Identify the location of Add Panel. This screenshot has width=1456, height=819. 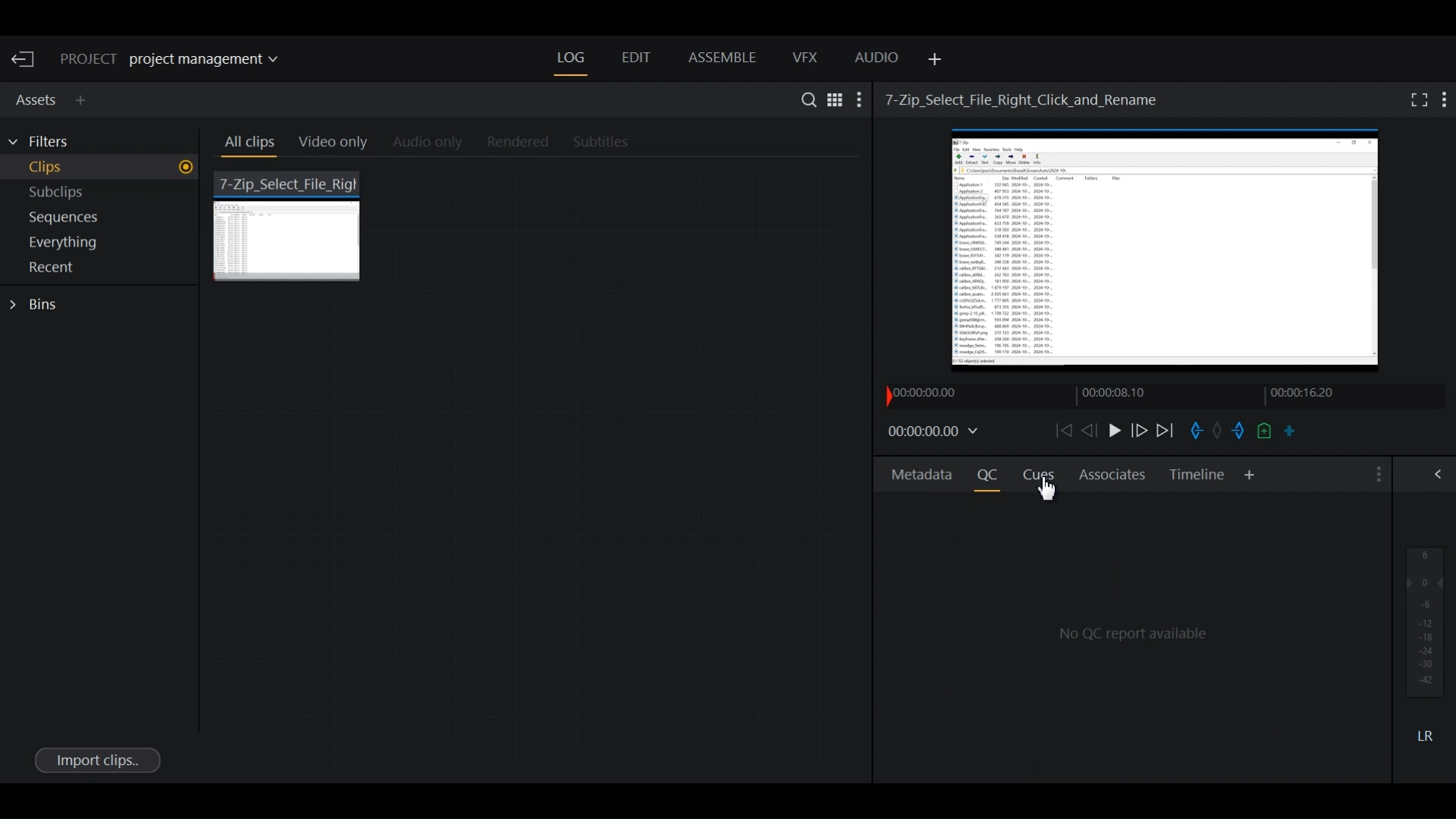
(1250, 475).